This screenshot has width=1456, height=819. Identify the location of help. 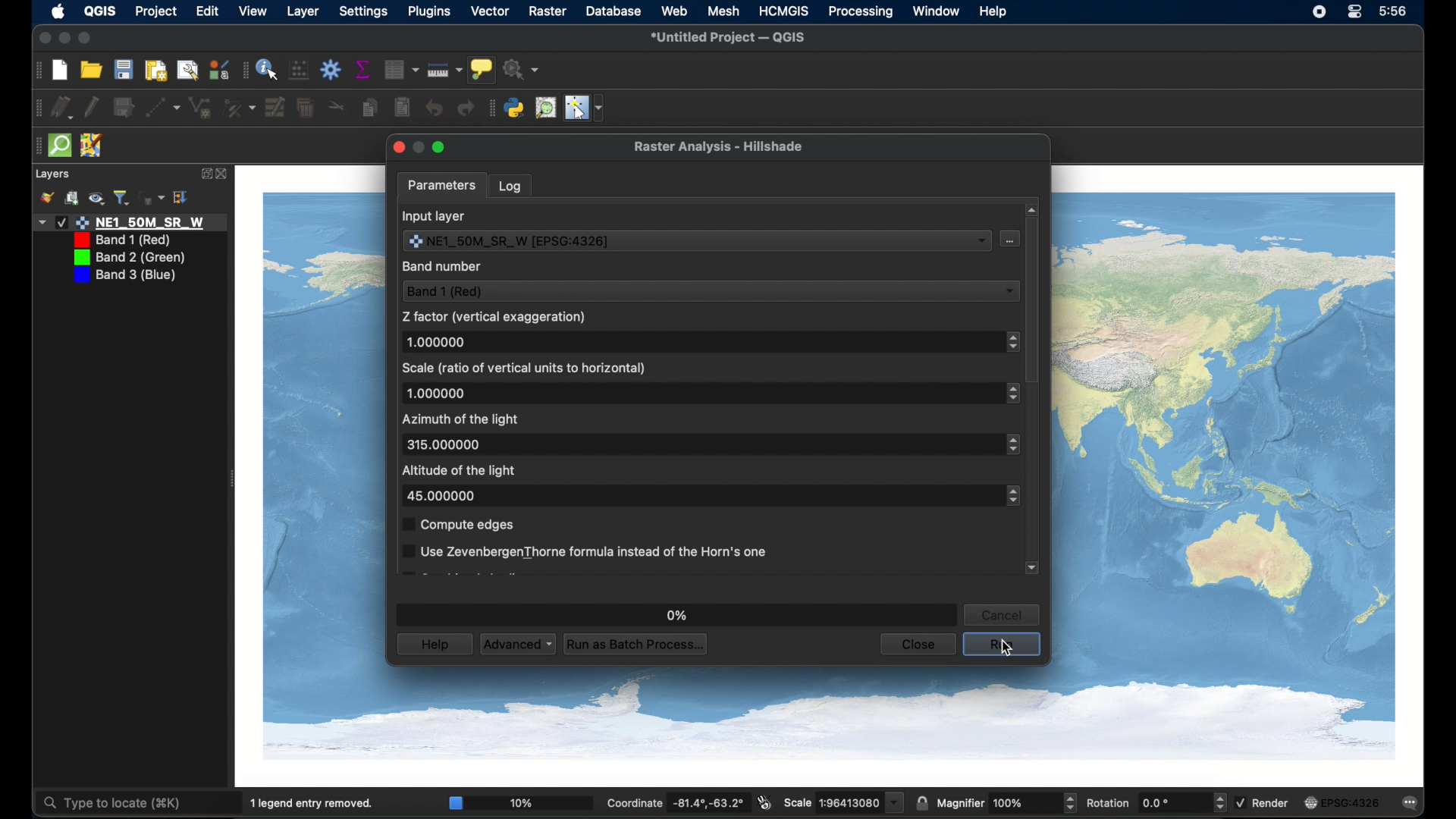
(434, 644).